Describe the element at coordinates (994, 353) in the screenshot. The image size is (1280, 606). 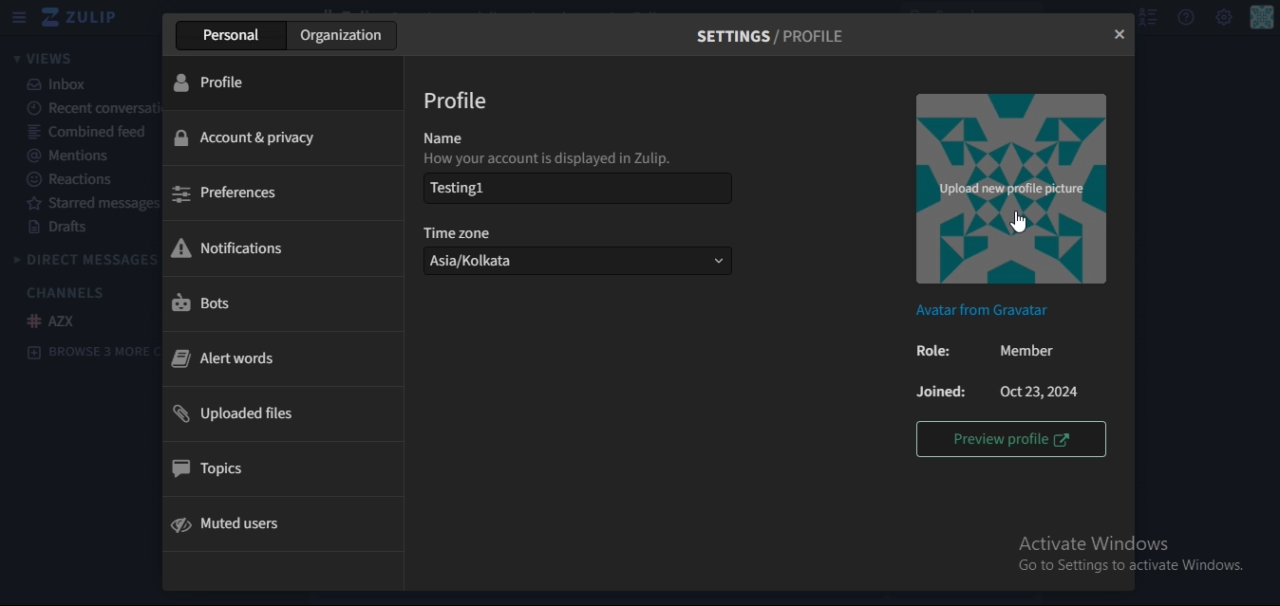
I see `role : Member` at that location.